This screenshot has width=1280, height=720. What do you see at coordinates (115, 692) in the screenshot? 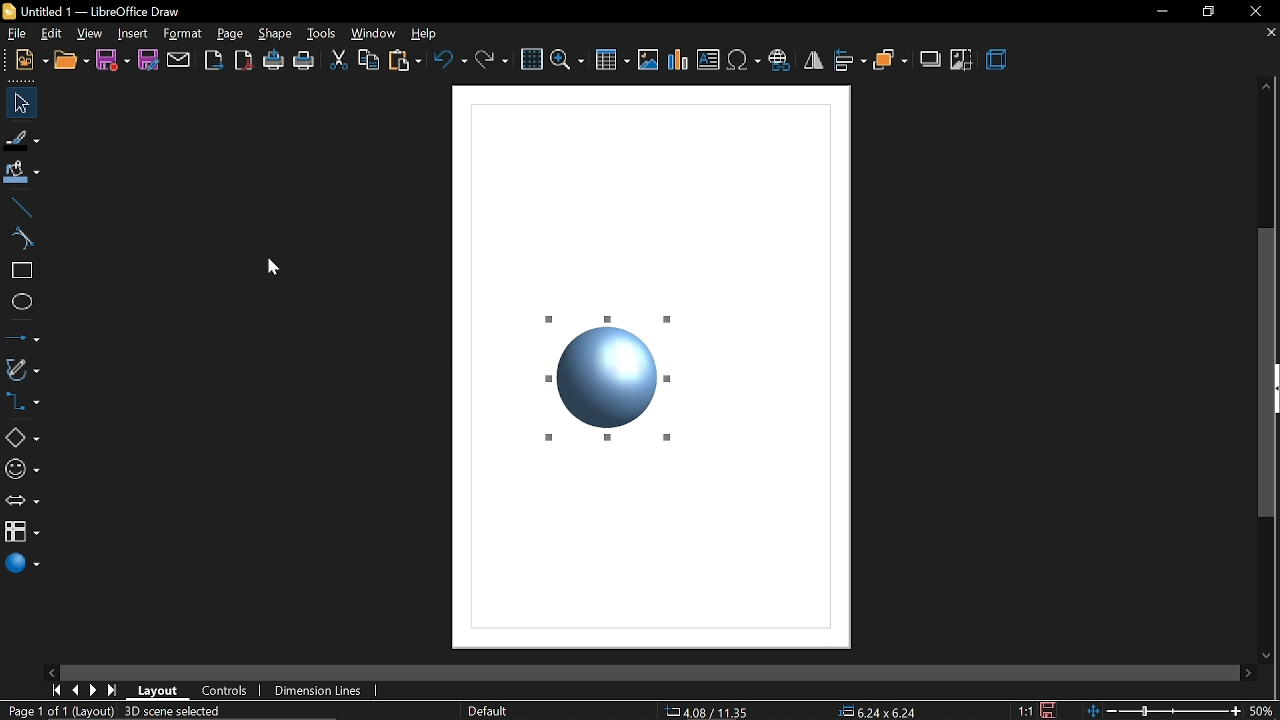
I see `go to last page` at bounding box center [115, 692].